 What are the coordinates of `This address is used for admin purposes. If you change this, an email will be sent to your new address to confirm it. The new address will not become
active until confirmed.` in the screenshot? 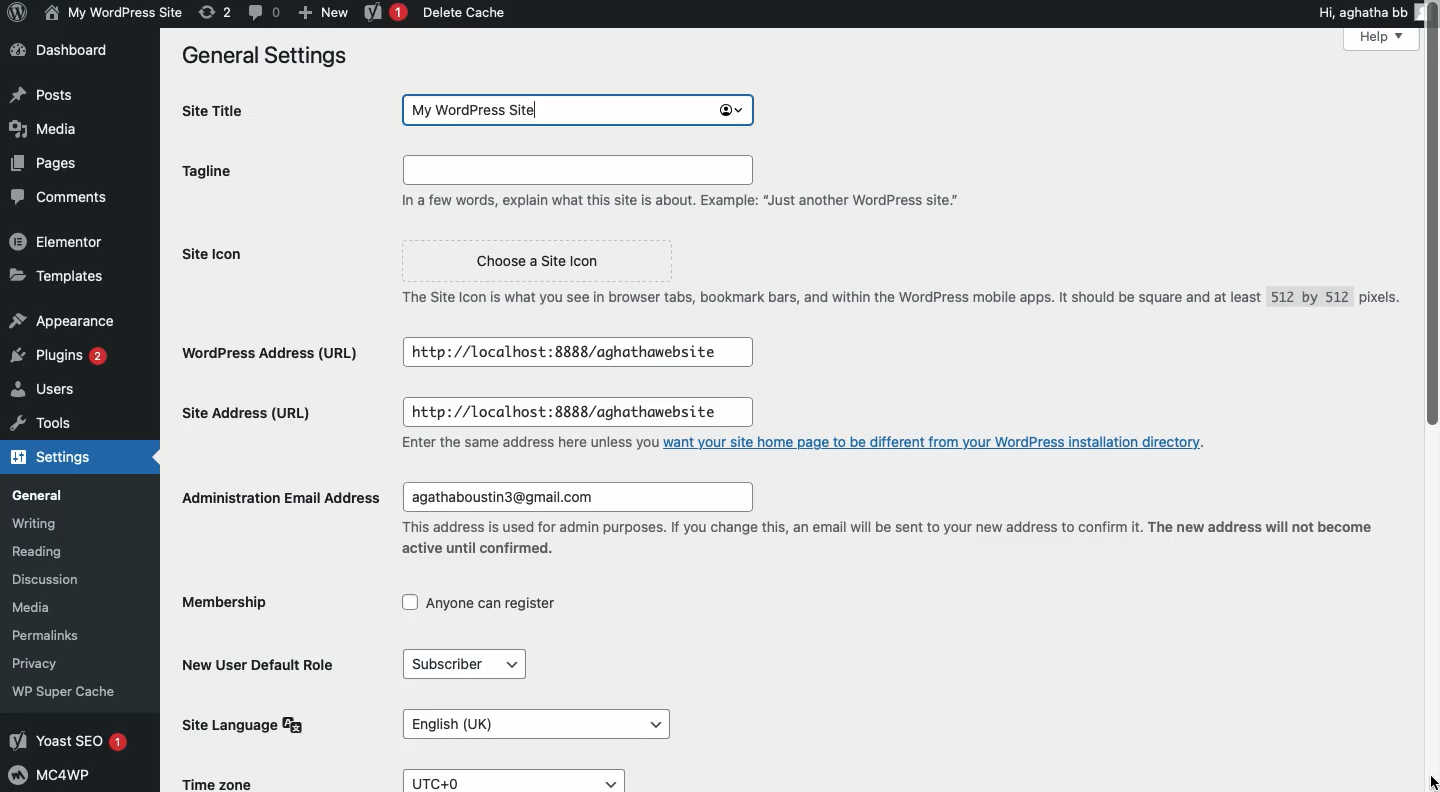 It's located at (888, 540).